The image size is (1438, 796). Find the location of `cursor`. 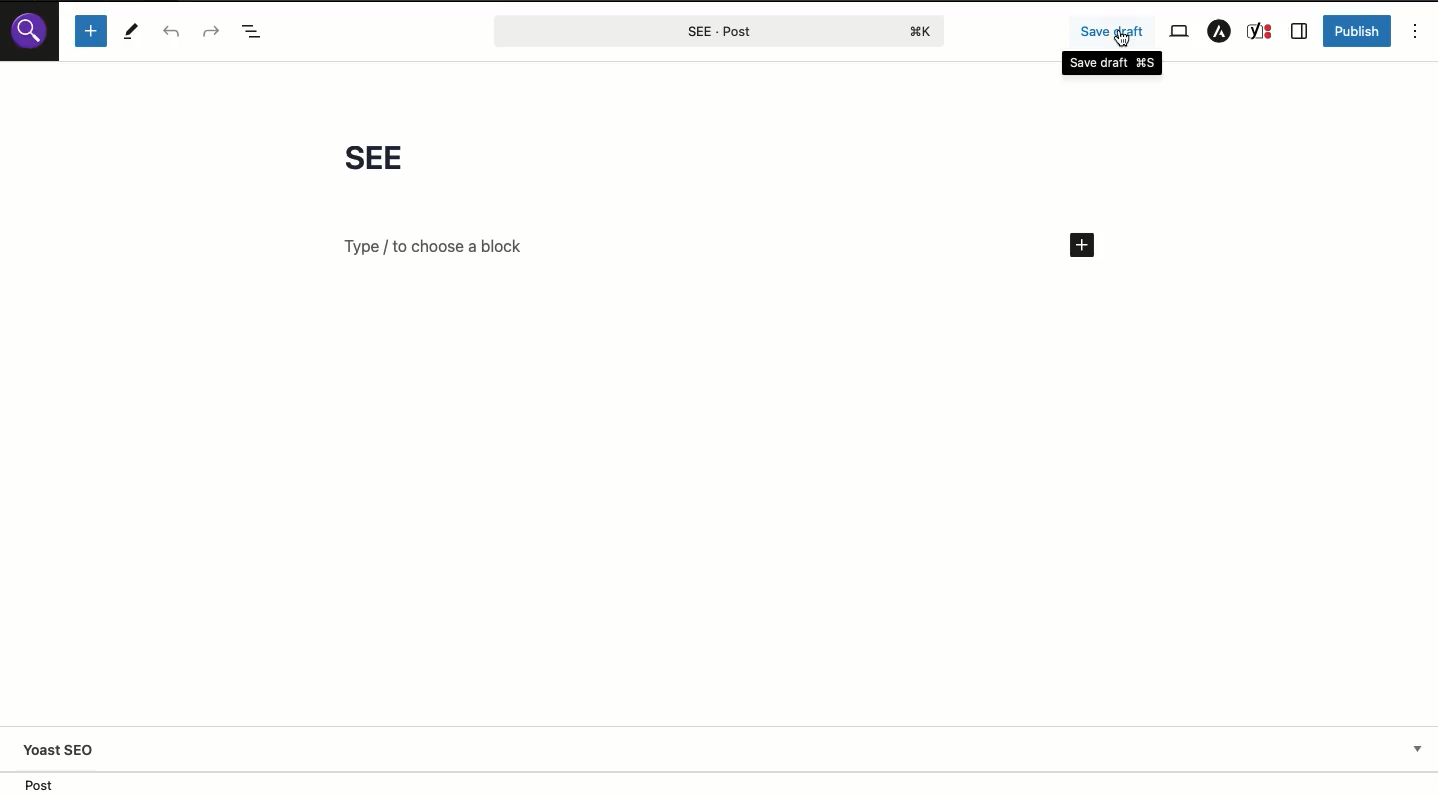

cursor is located at coordinates (1119, 37).